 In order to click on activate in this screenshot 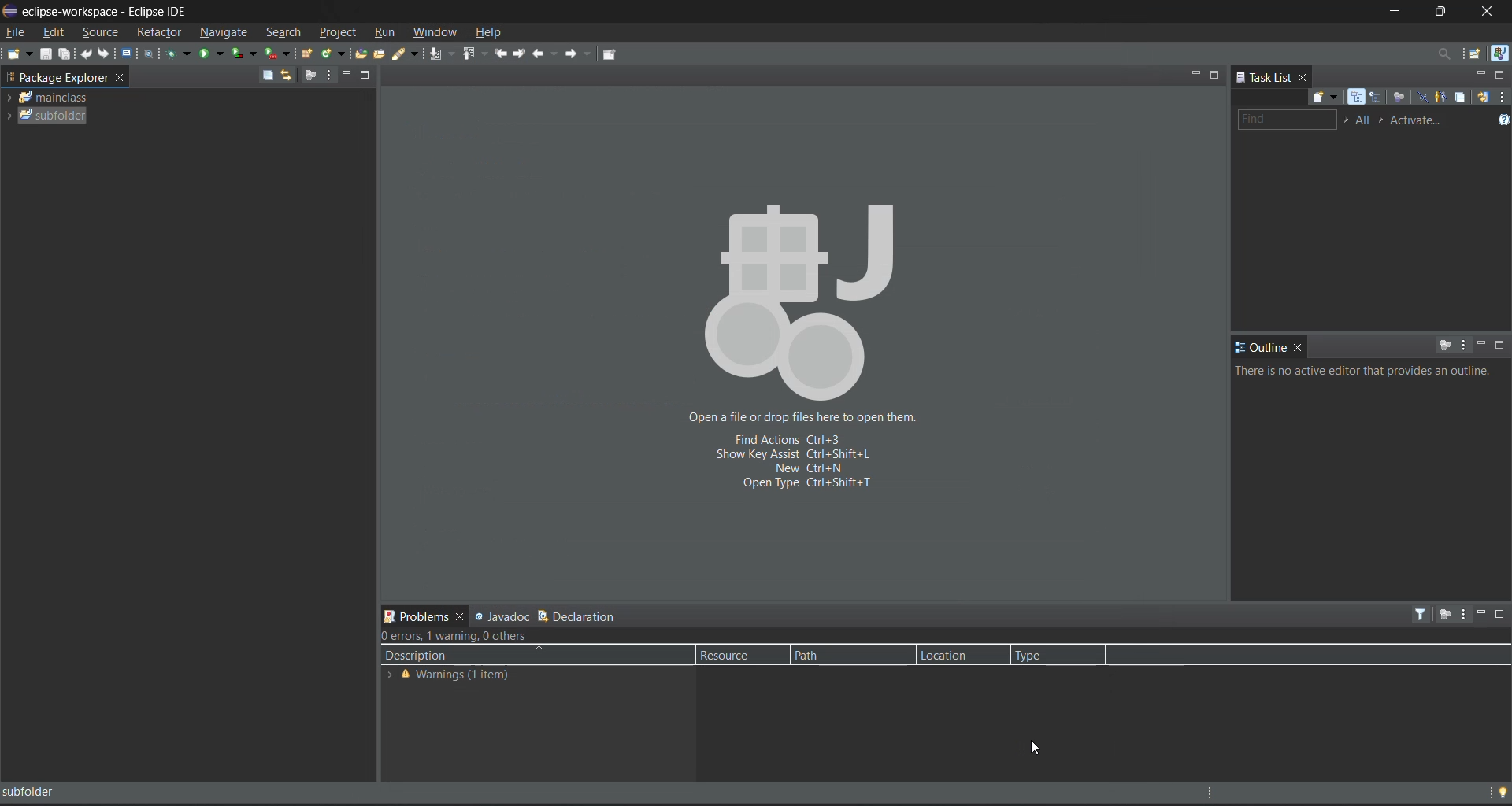, I will do `click(1420, 121)`.